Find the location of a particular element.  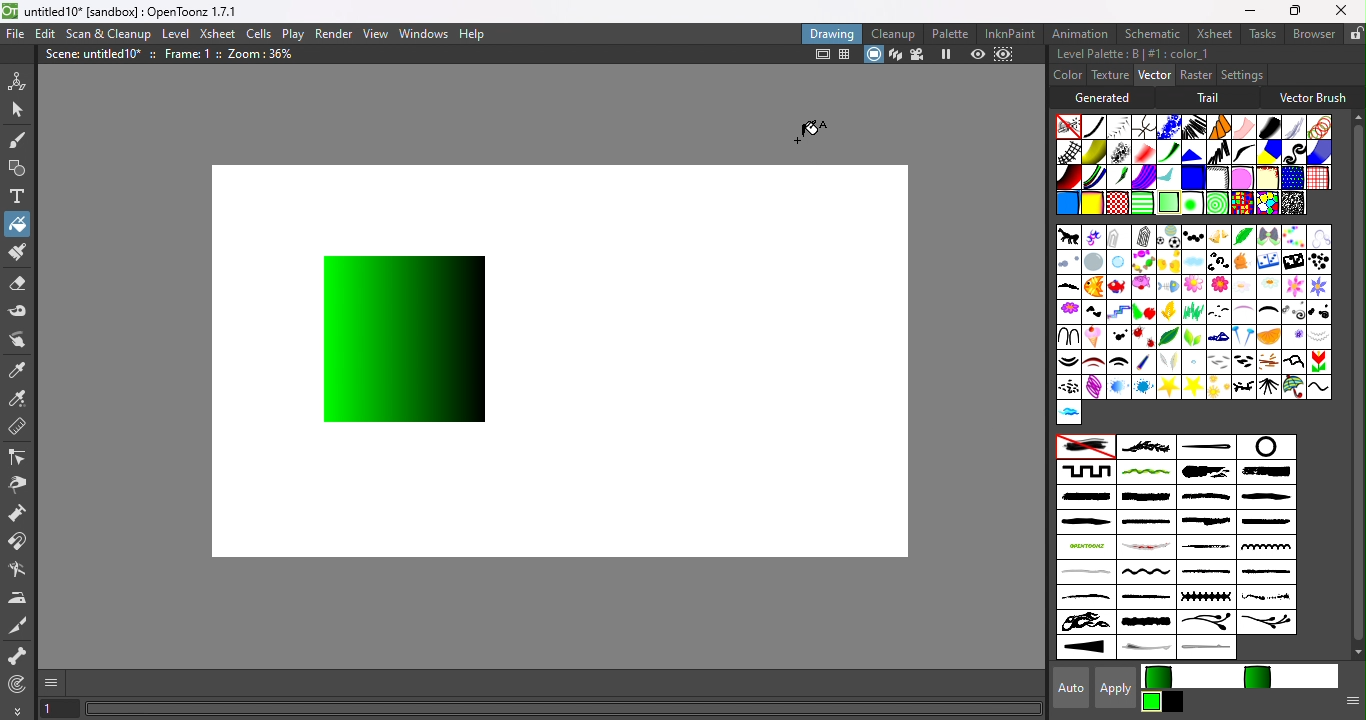

Flow is located at coordinates (1217, 287).